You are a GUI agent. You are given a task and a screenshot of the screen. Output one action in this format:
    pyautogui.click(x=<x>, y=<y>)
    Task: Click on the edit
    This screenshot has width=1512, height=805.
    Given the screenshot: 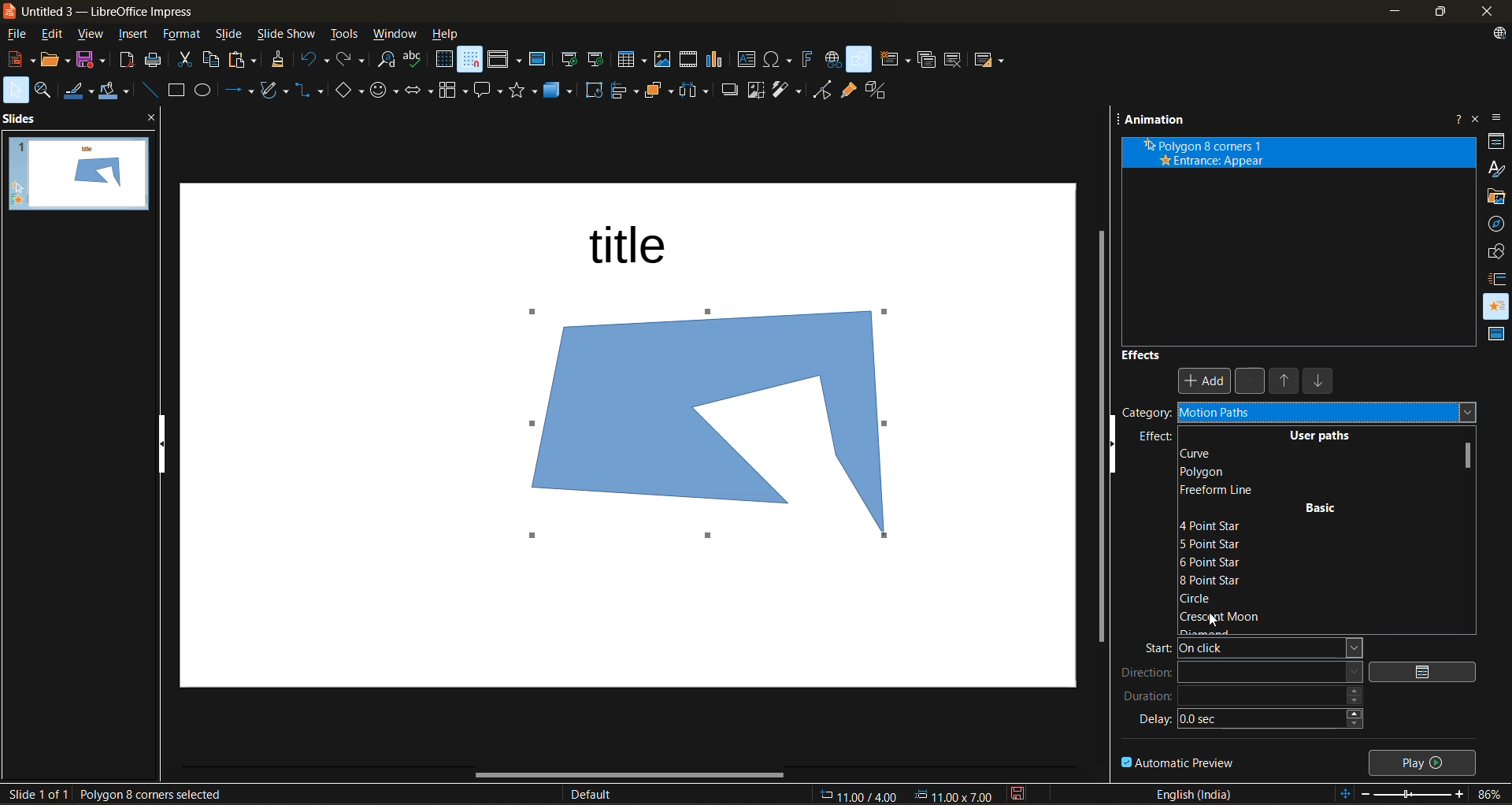 What is the action you would take?
    pyautogui.click(x=57, y=35)
    